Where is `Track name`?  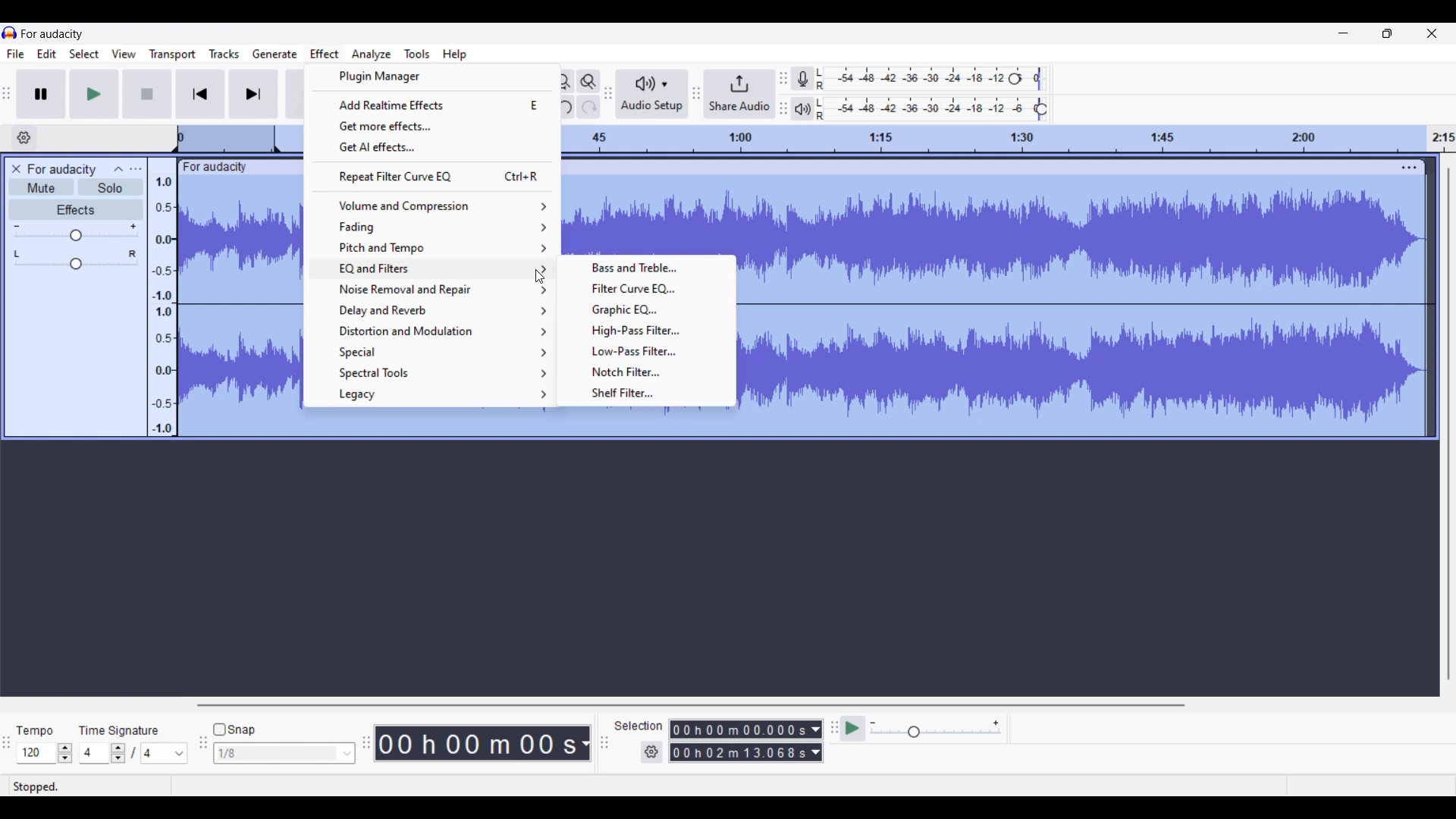 Track name is located at coordinates (215, 168).